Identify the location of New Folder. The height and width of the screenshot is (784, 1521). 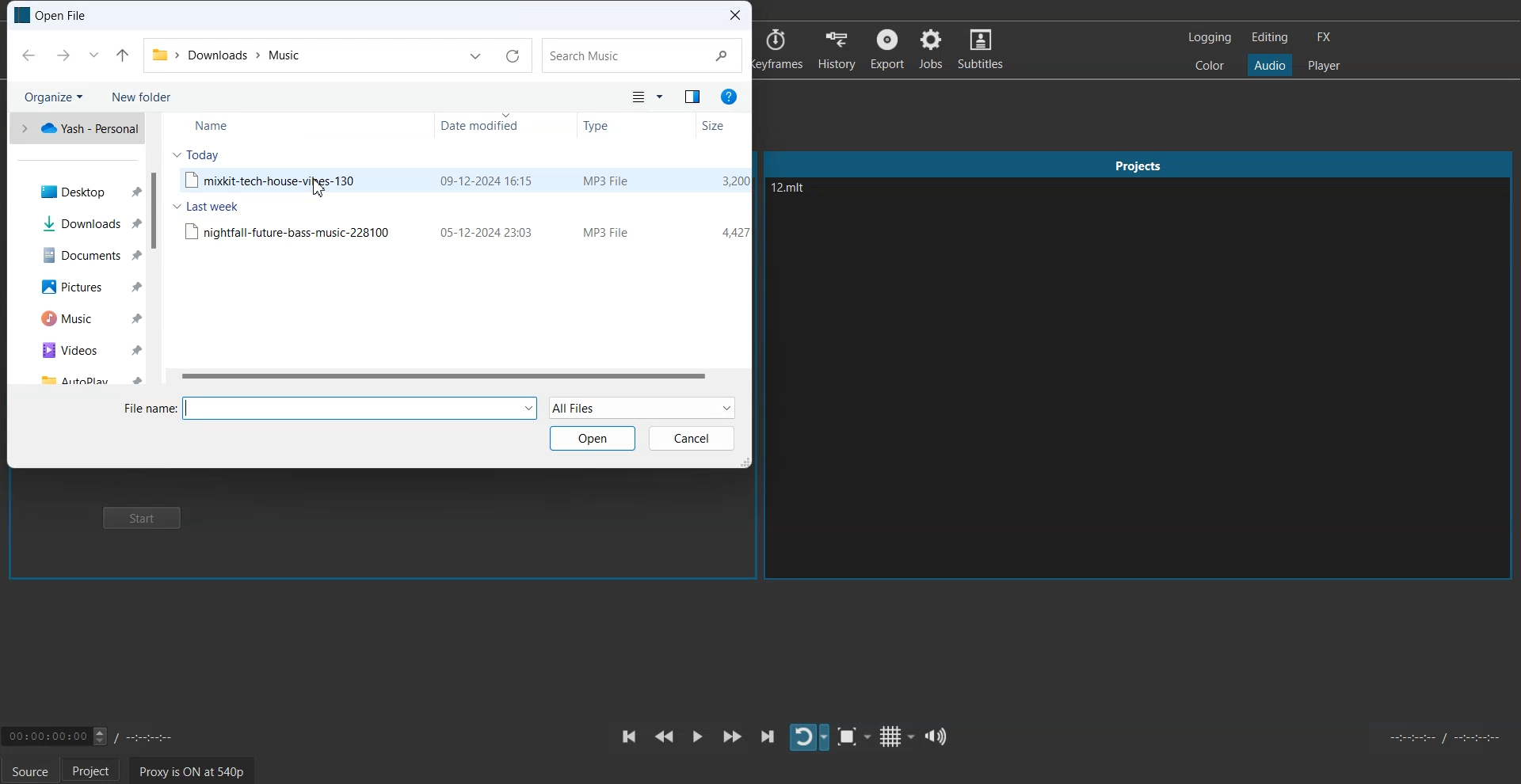
(144, 97).